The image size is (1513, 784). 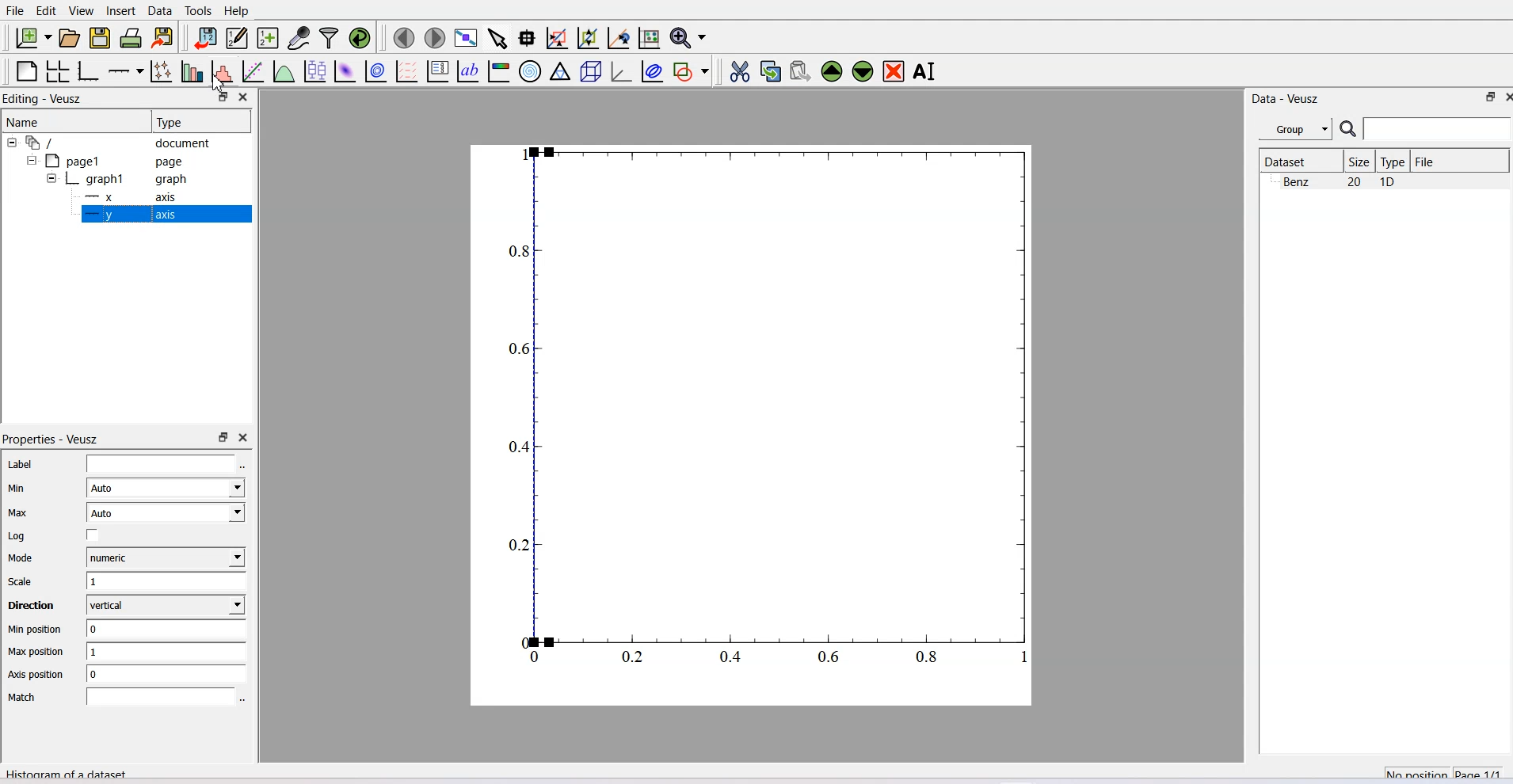 What do you see at coordinates (360, 37) in the screenshot?
I see `Reload linked dataset` at bounding box center [360, 37].